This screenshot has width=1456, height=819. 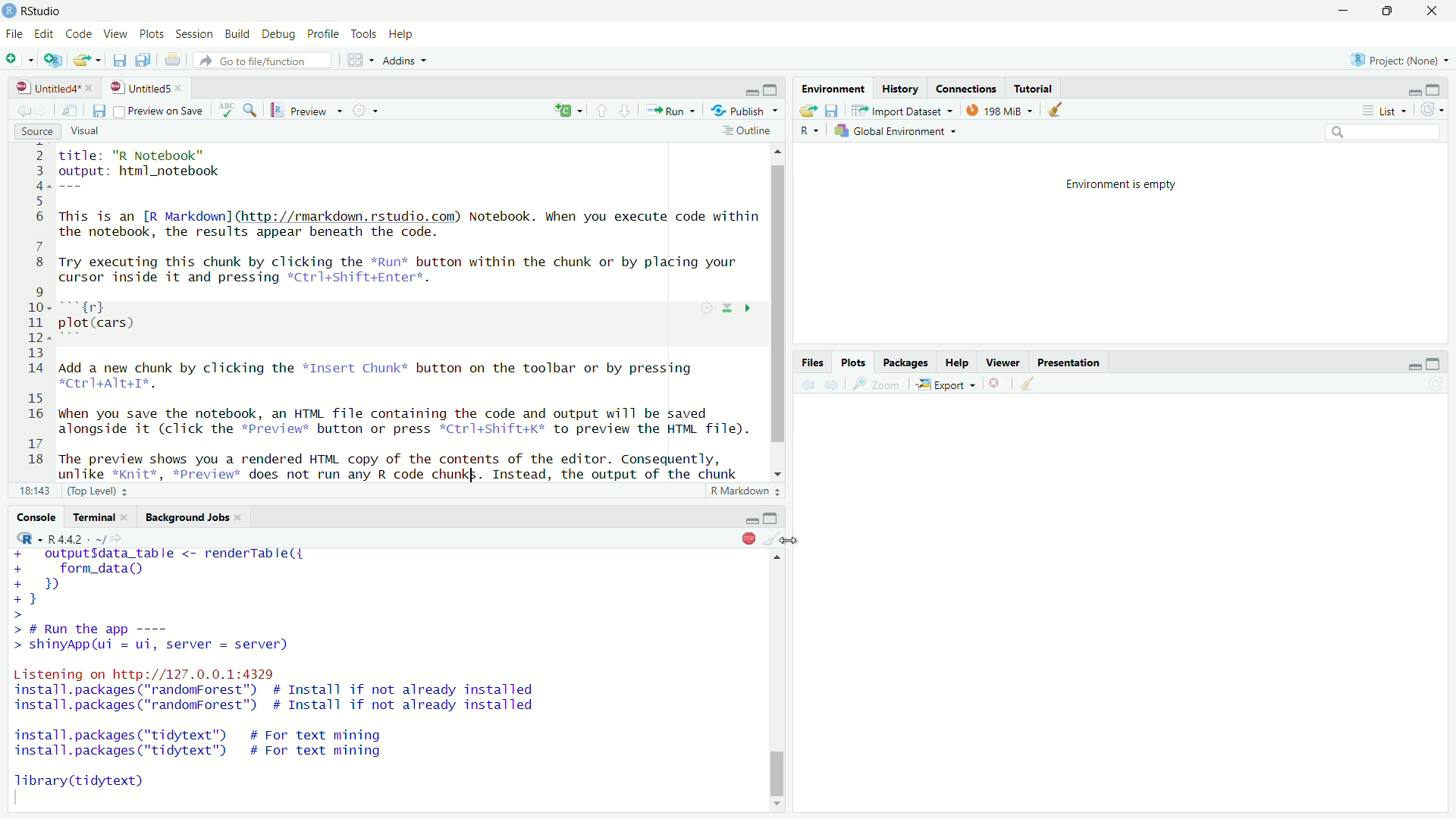 What do you see at coordinates (32, 311) in the screenshot?
I see `2 3 4 5 6 7 8 9 10 11 12 13 14 15 16 17 18` at bounding box center [32, 311].